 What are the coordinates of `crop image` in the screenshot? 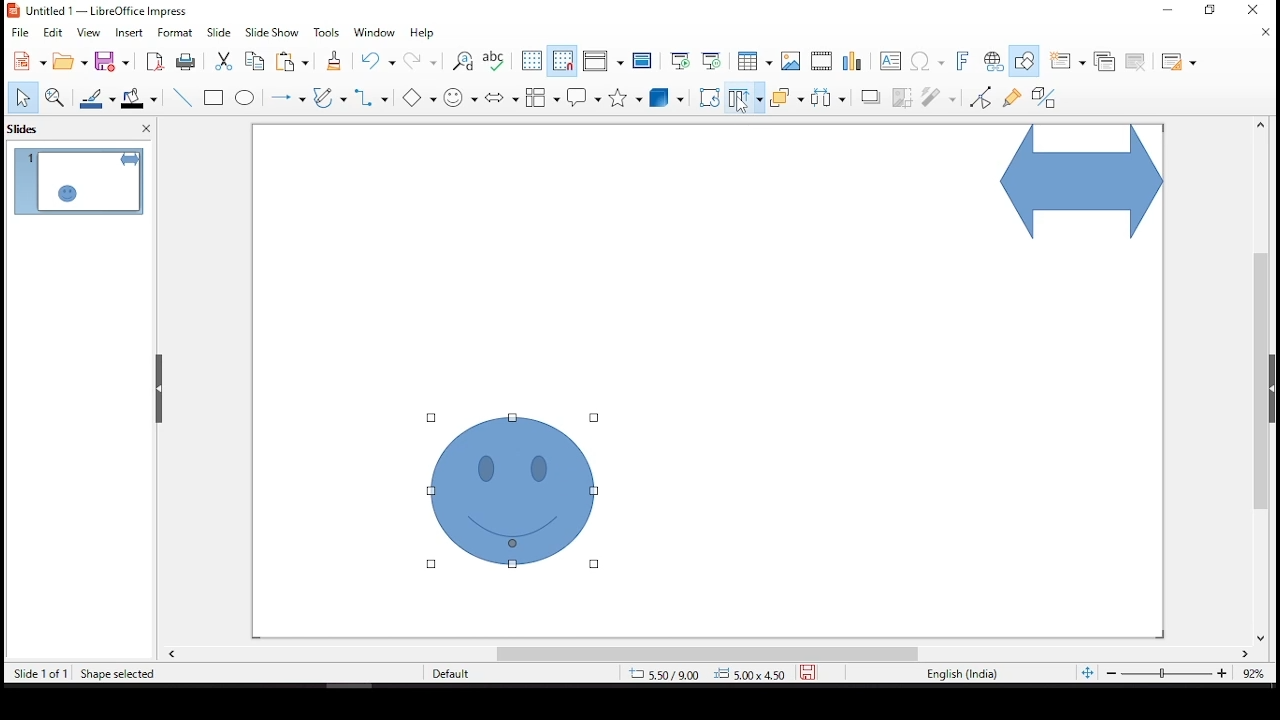 It's located at (903, 95).